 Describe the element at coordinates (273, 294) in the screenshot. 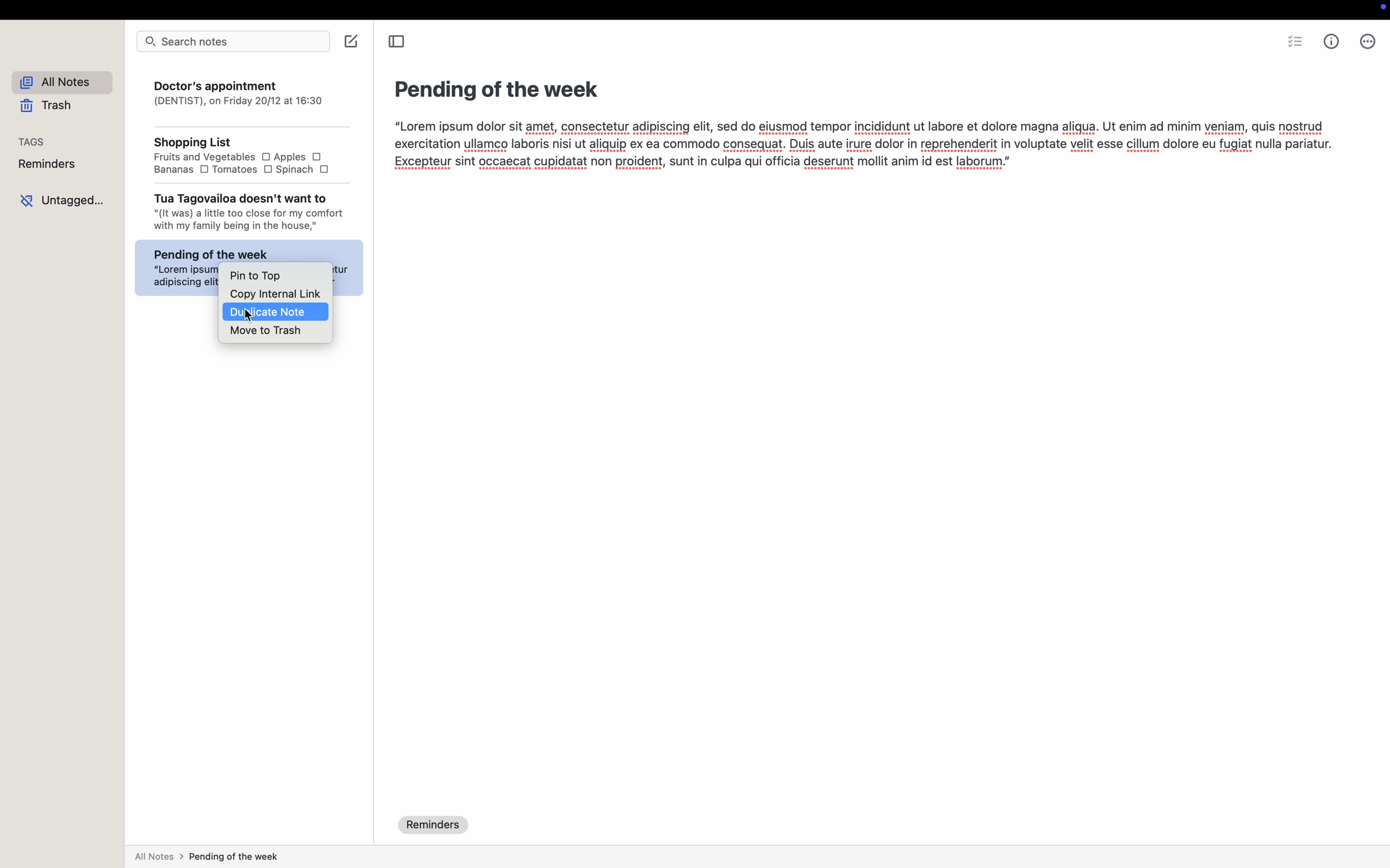

I see `copy external link` at that location.